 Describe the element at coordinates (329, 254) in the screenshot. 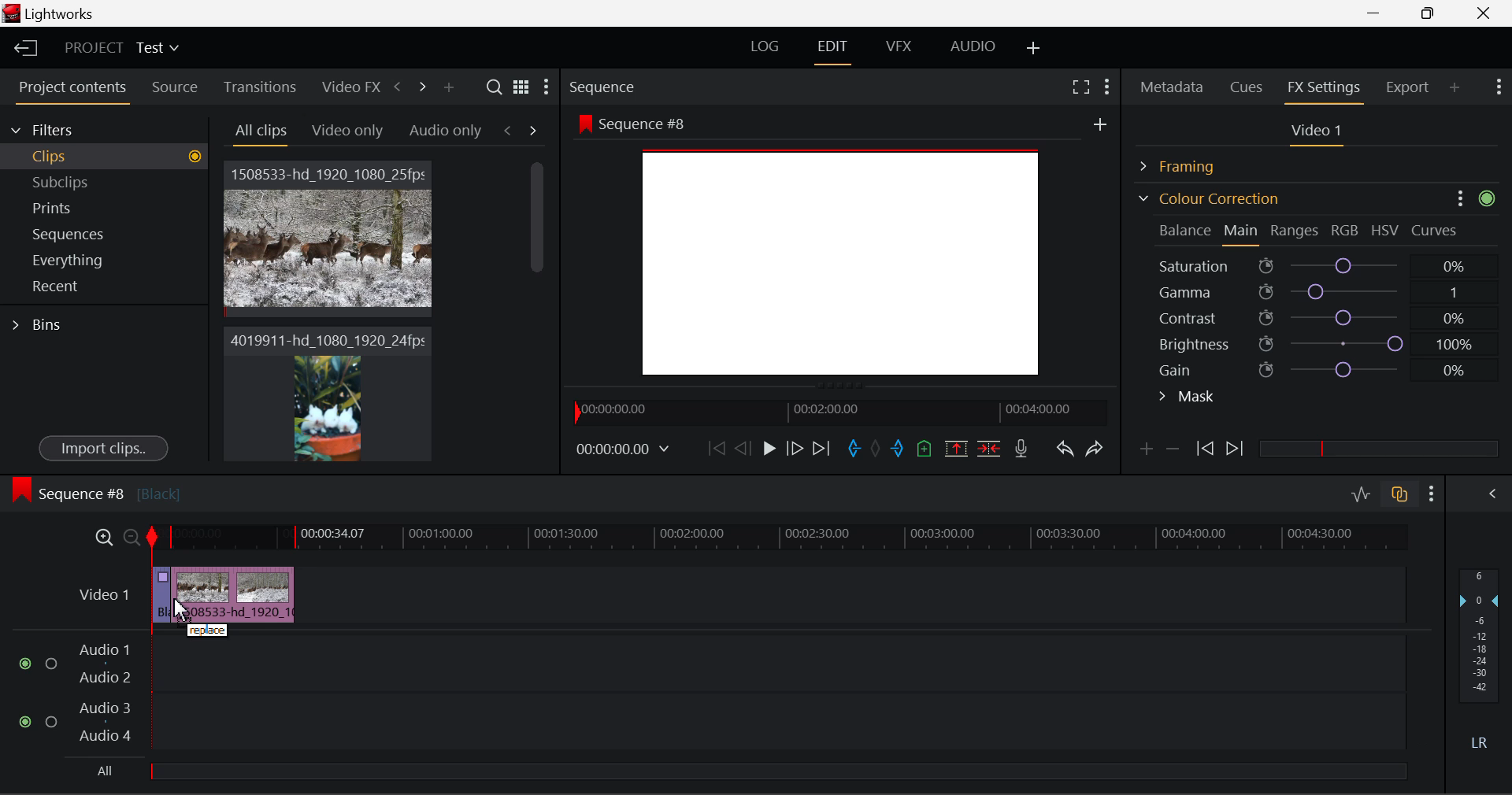

I see `Cursor MOUSE_DOWN on Clip 1` at that location.